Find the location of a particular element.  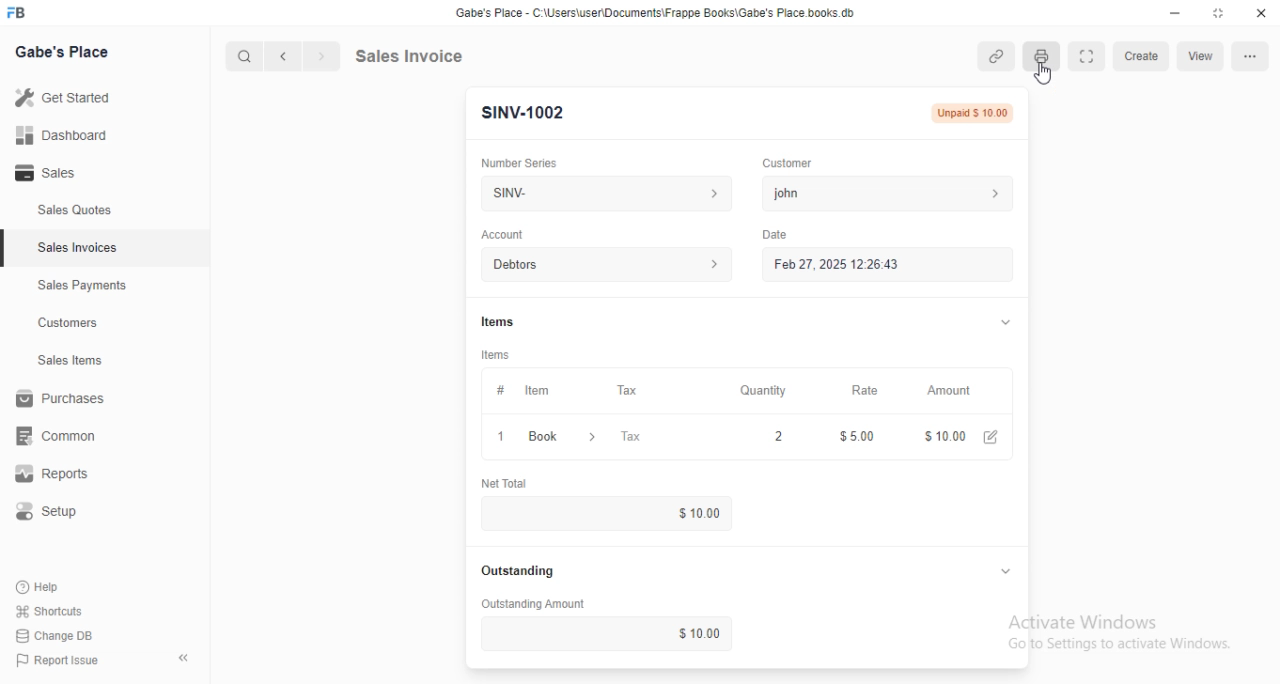

get started is located at coordinates (63, 98).